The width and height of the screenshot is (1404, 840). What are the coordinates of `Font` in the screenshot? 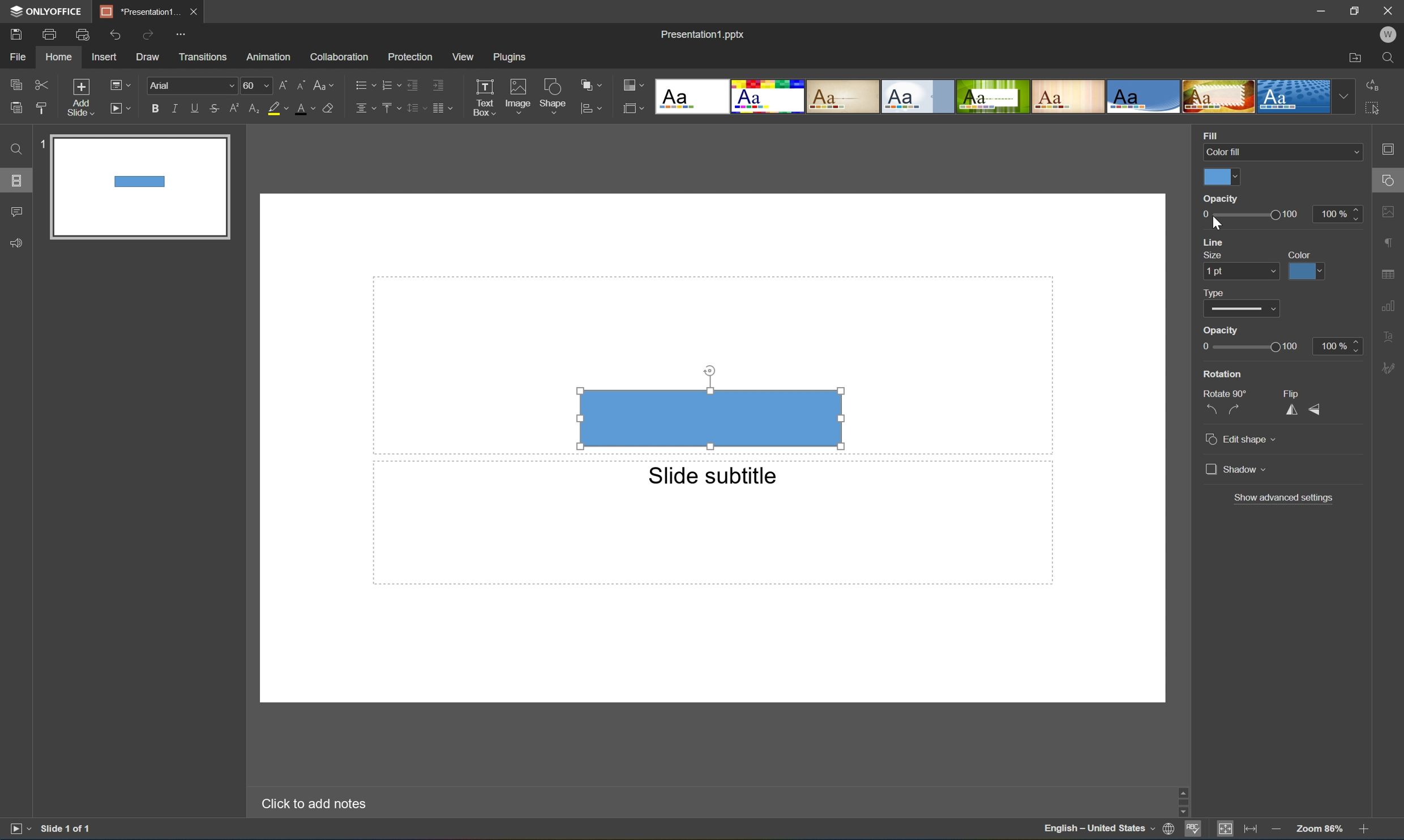 It's located at (191, 85).